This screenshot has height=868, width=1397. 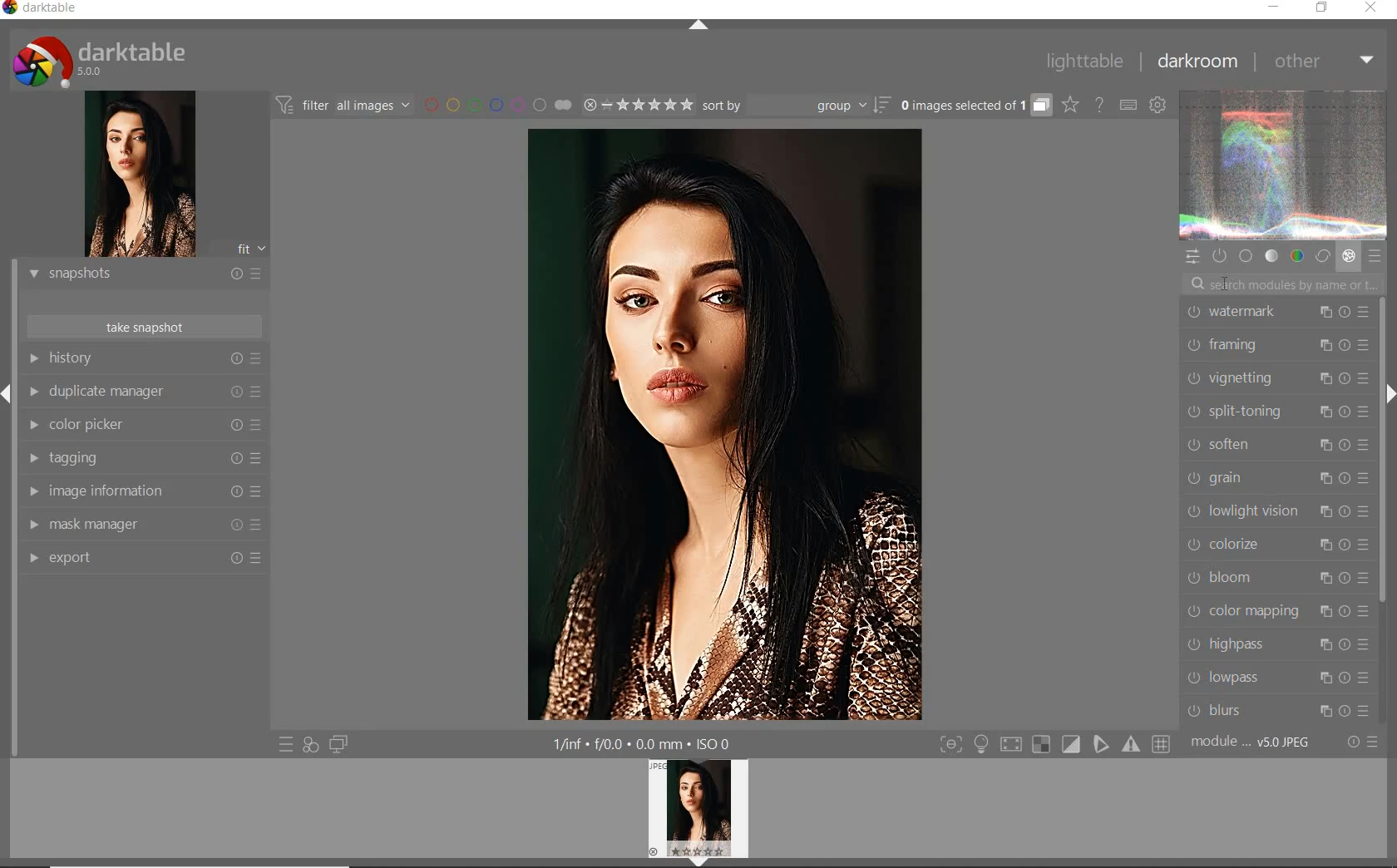 I want to click on enable online help, so click(x=1098, y=104).